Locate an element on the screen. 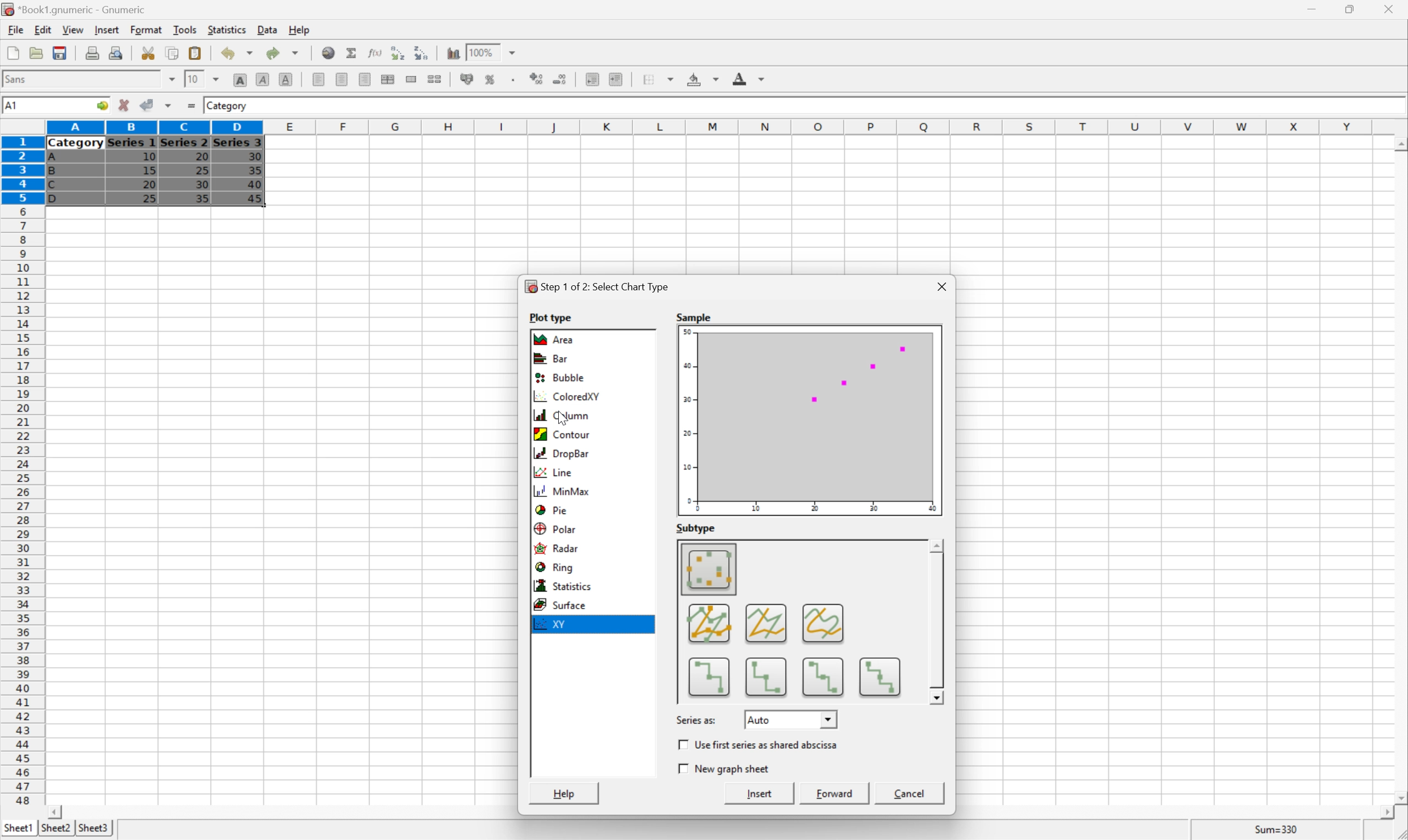 The width and height of the screenshot is (1408, 840). 35 is located at coordinates (202, 198).